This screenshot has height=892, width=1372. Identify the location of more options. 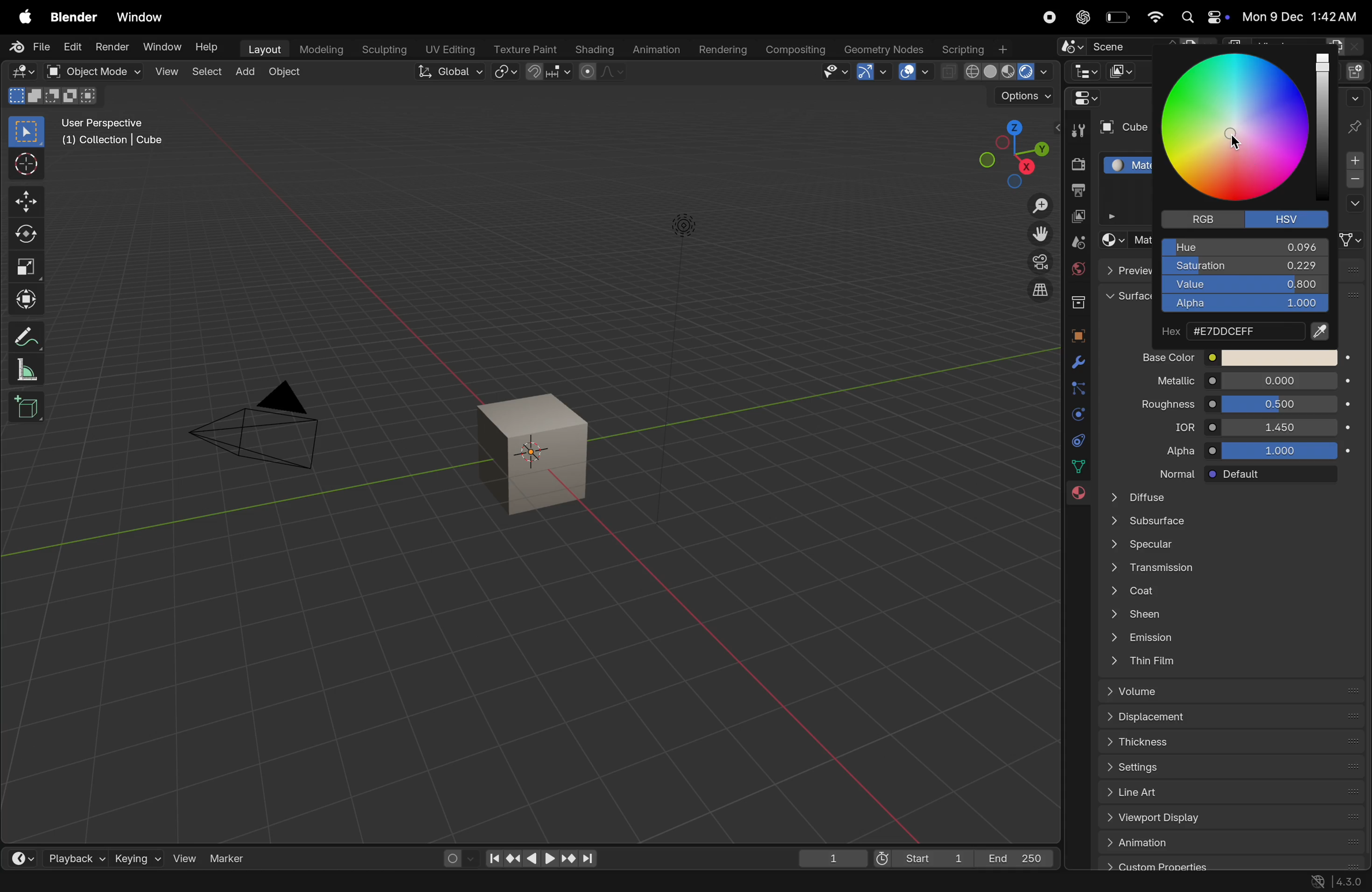
(1354, 97).